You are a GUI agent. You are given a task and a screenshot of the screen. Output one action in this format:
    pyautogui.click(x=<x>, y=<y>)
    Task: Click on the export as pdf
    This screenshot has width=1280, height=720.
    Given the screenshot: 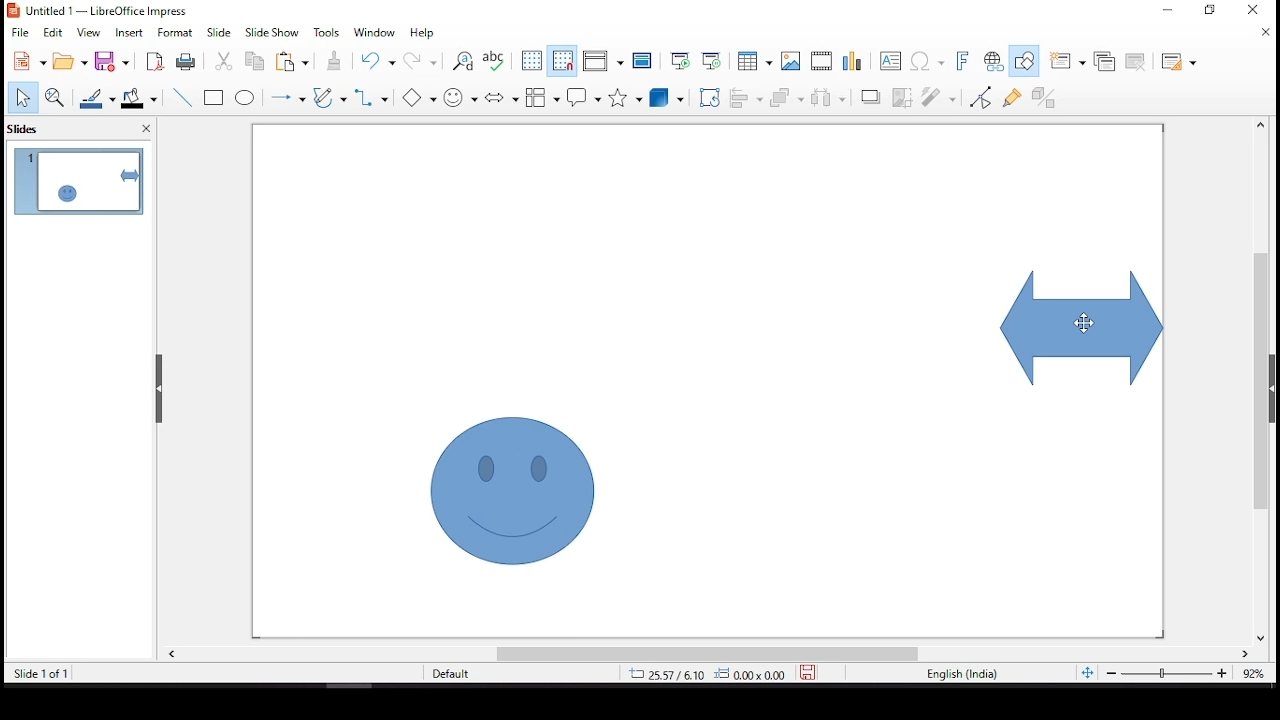 What is the action you would take?
    pyautogui.click(x=153, y=61)
    